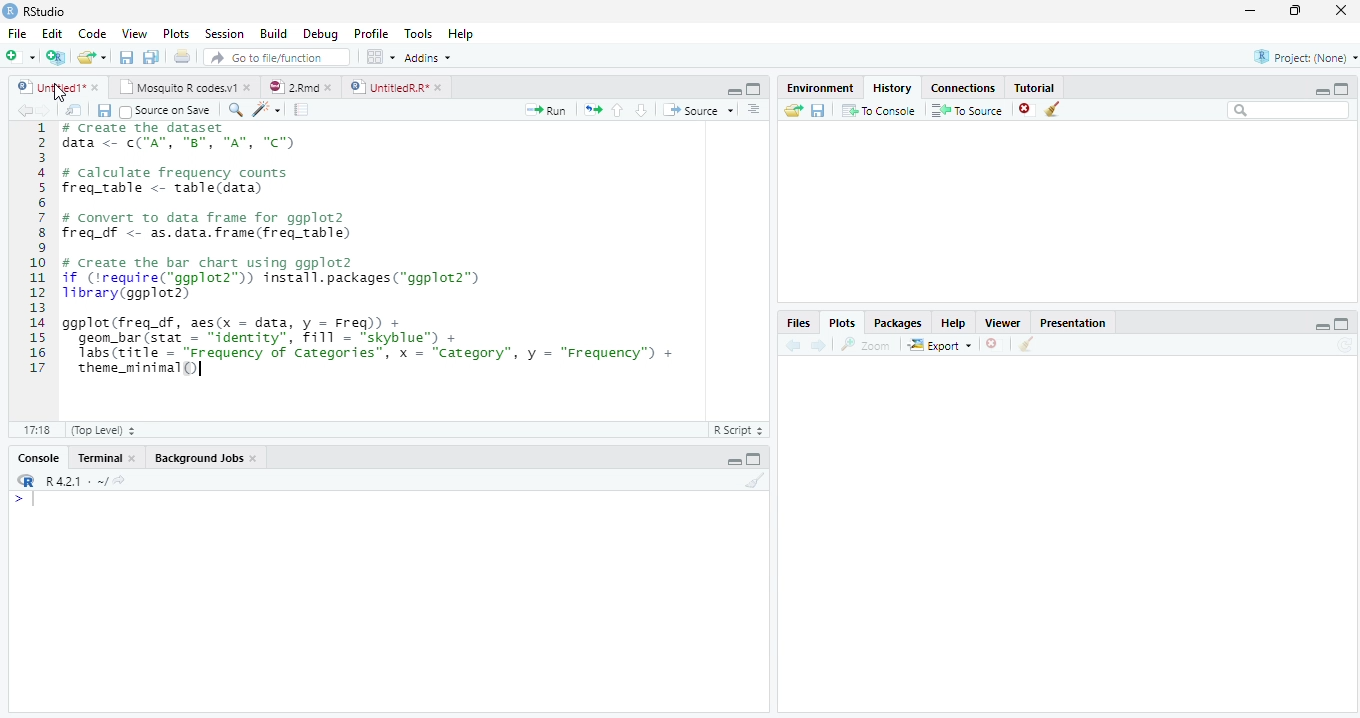 The image size is (1360, 718). What do you see at coordinates (994, 343) in the screenshot?
I see `delete ` at bounding box center [994, 343].